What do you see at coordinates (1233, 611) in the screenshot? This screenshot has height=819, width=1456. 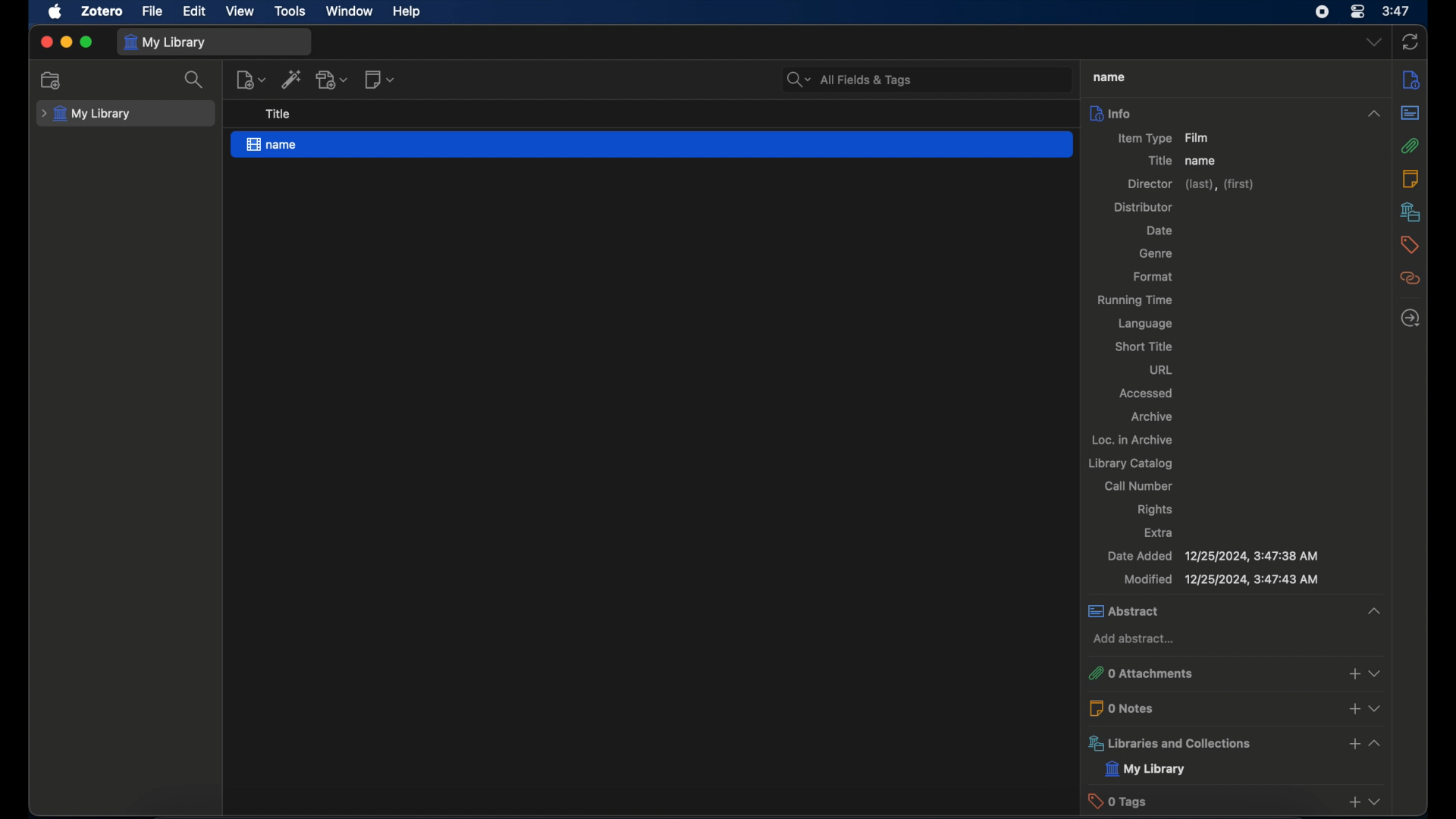 I see `abstract` at bounding box center [1233, 611].